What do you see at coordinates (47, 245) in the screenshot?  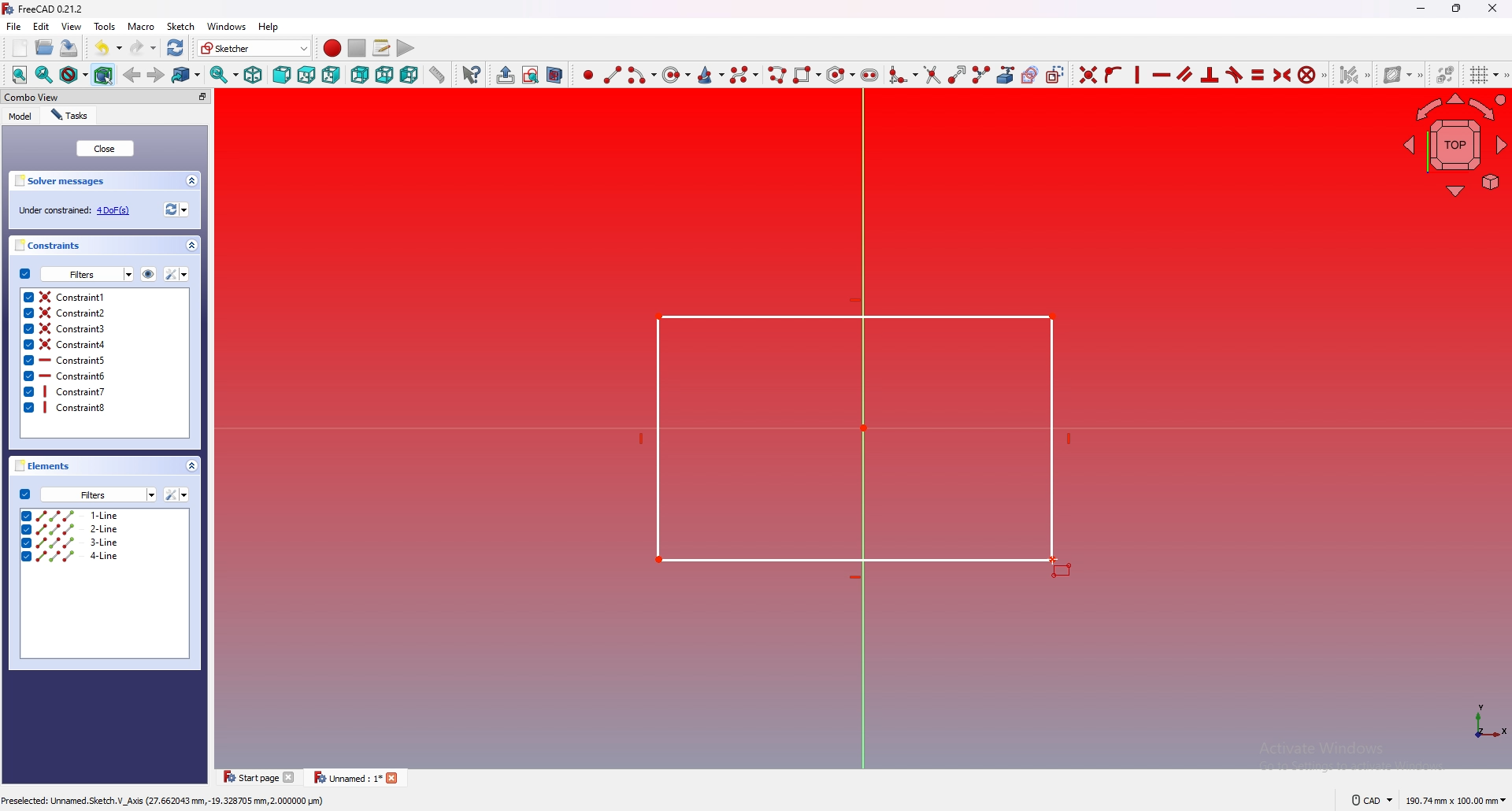 I see `constraints` at bounding box center [47, 245].